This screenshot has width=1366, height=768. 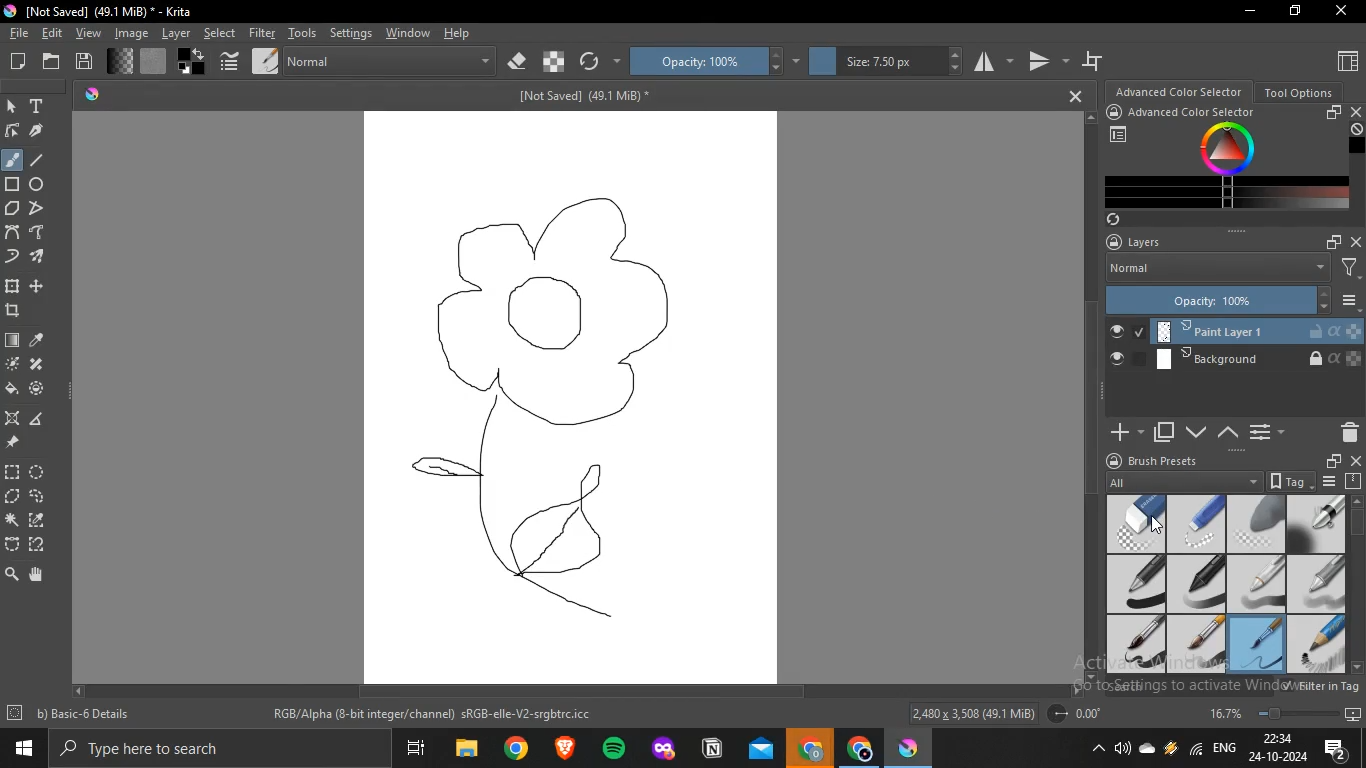 What do you see at coordinates (860, 748) in the screenshot?
I see `Application` at bounding box center [860, 748].